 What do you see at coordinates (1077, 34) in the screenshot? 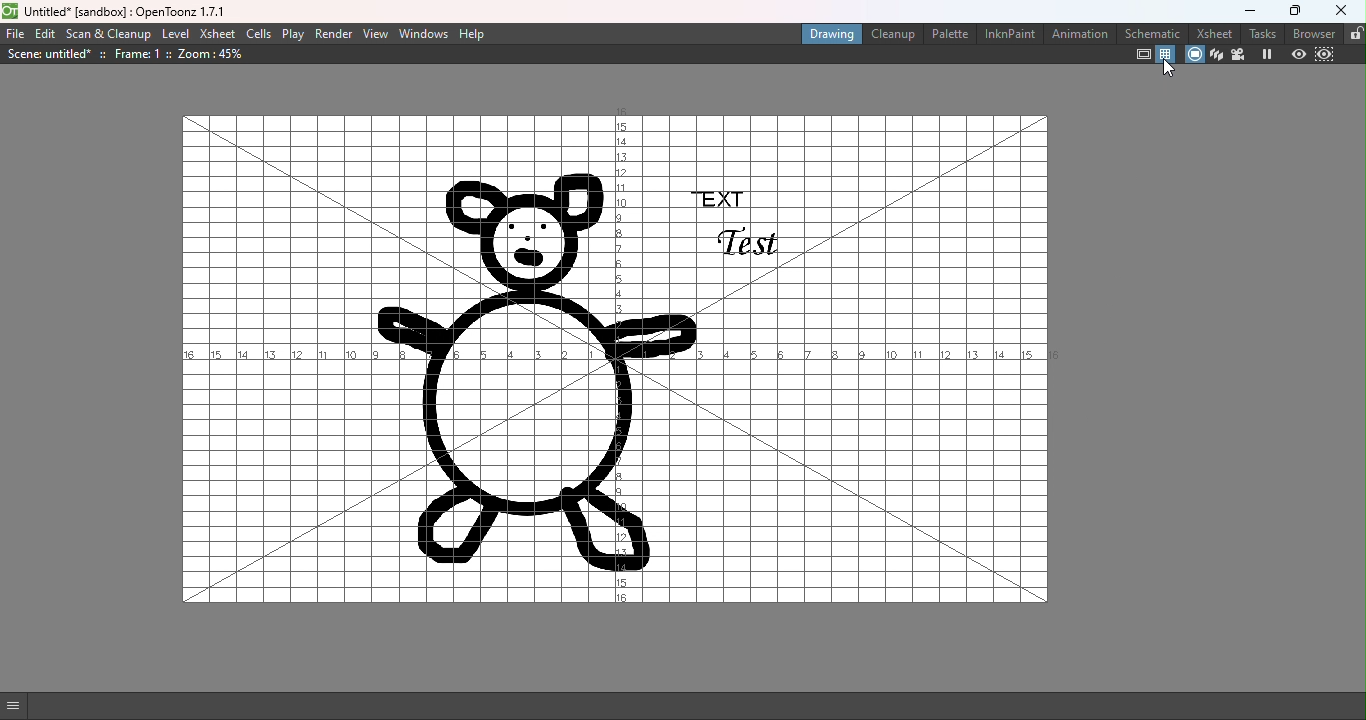
I see `Animation` at bounding box center [1077, 34].